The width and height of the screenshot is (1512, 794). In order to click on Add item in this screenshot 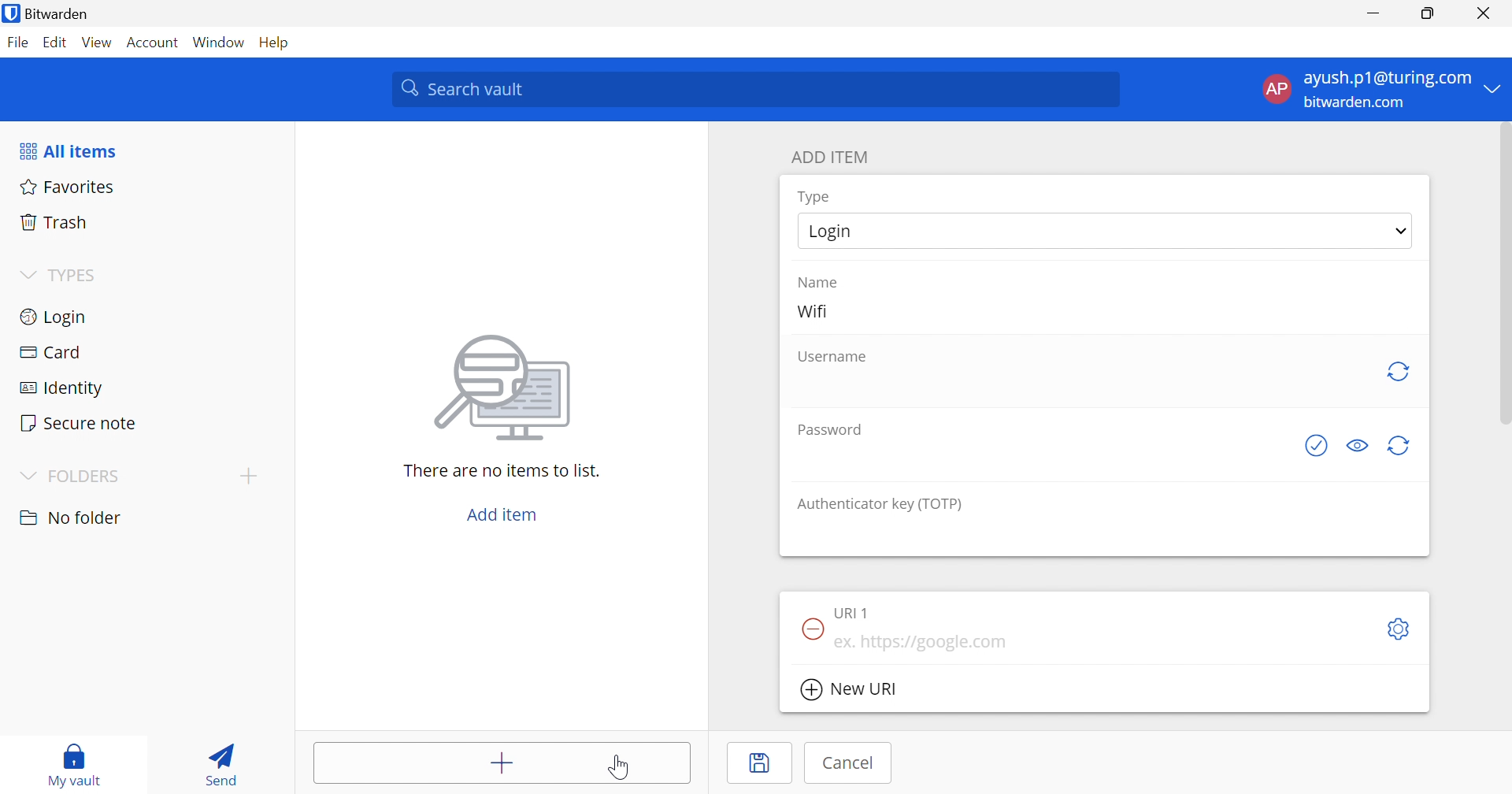, I will do `click(503, 765)`.